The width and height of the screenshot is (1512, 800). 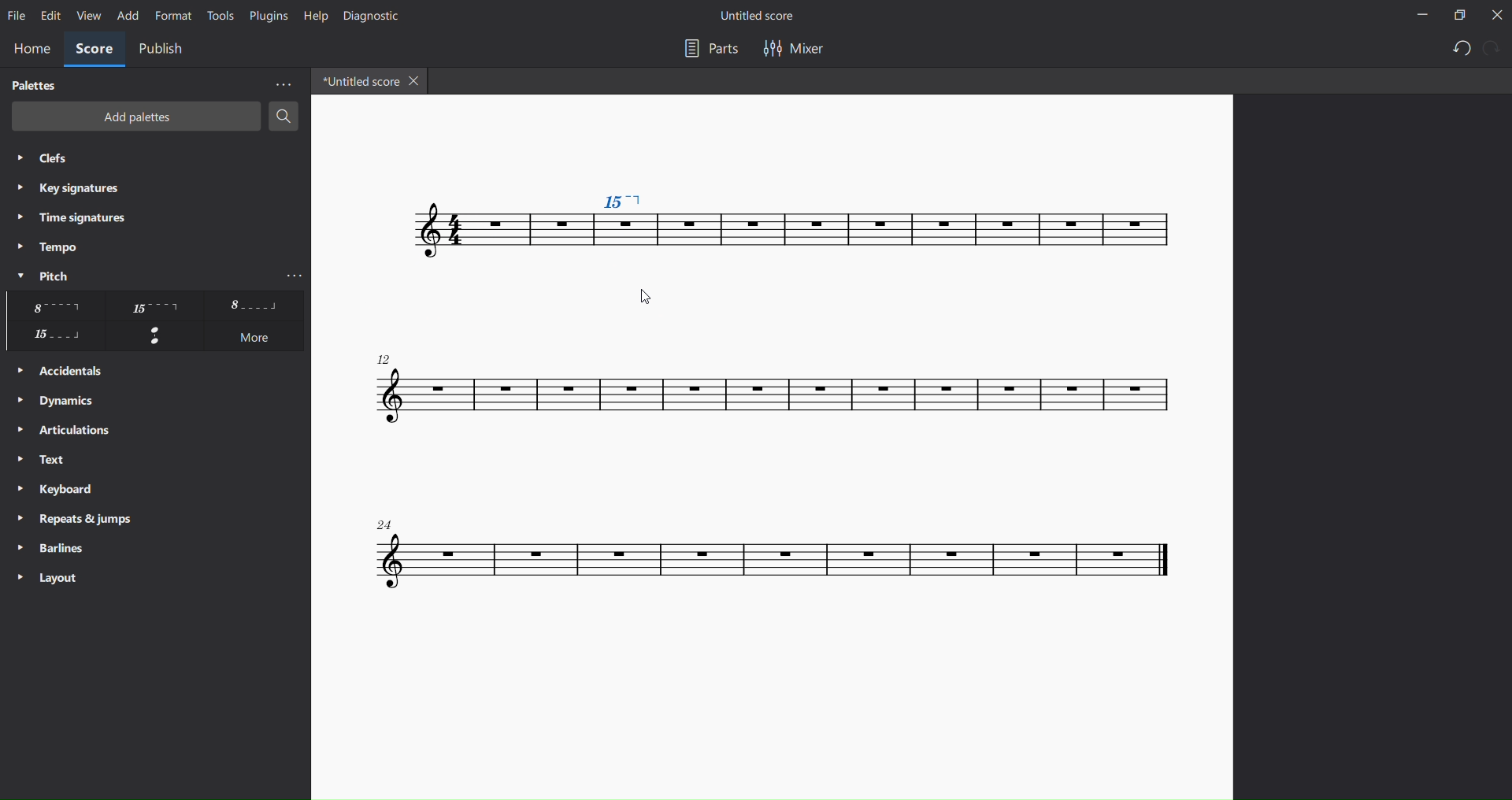 I want to click on format, so click(x=172, y=15).